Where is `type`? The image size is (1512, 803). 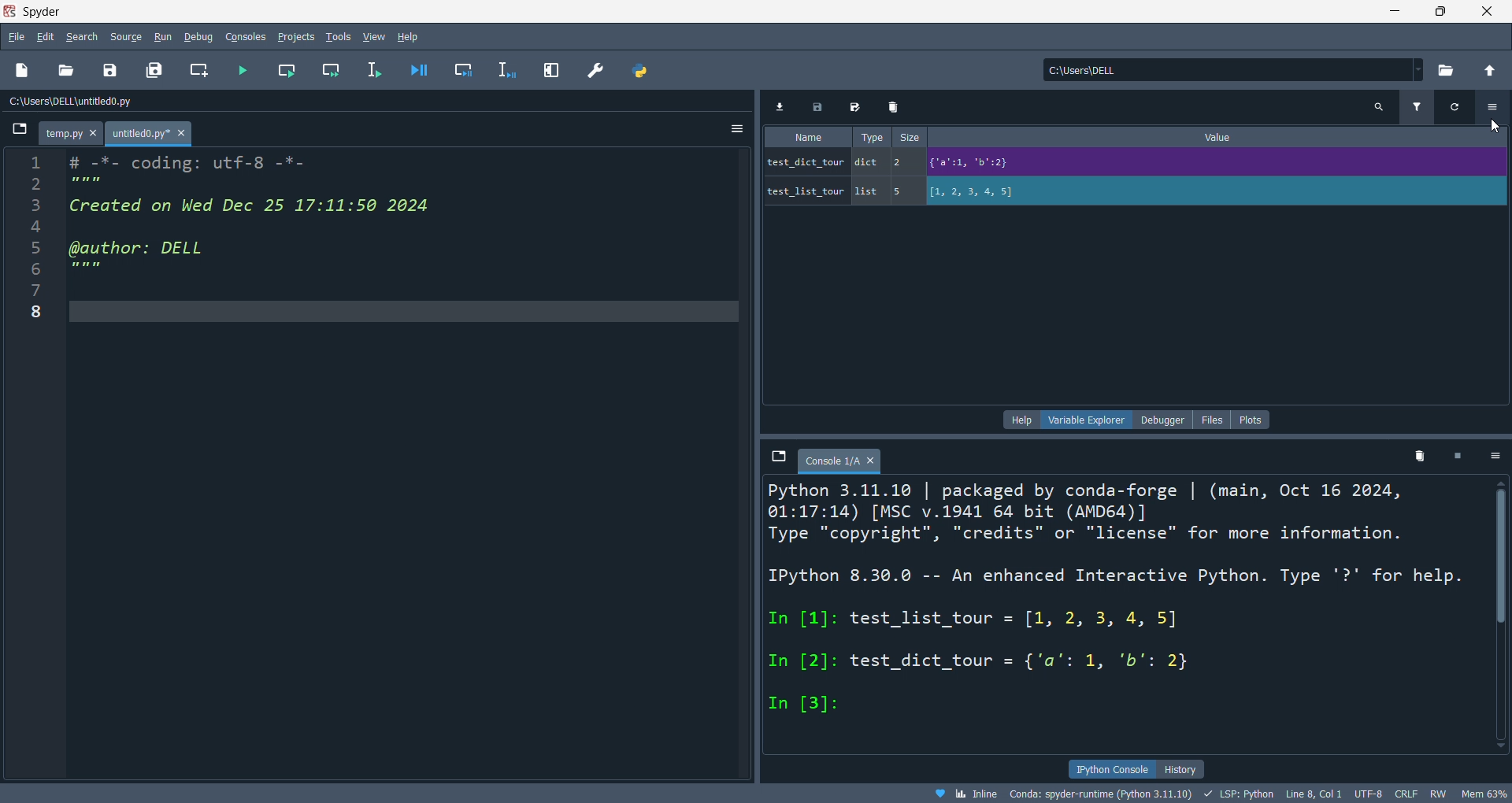 type is located at coordinates (869, 138).